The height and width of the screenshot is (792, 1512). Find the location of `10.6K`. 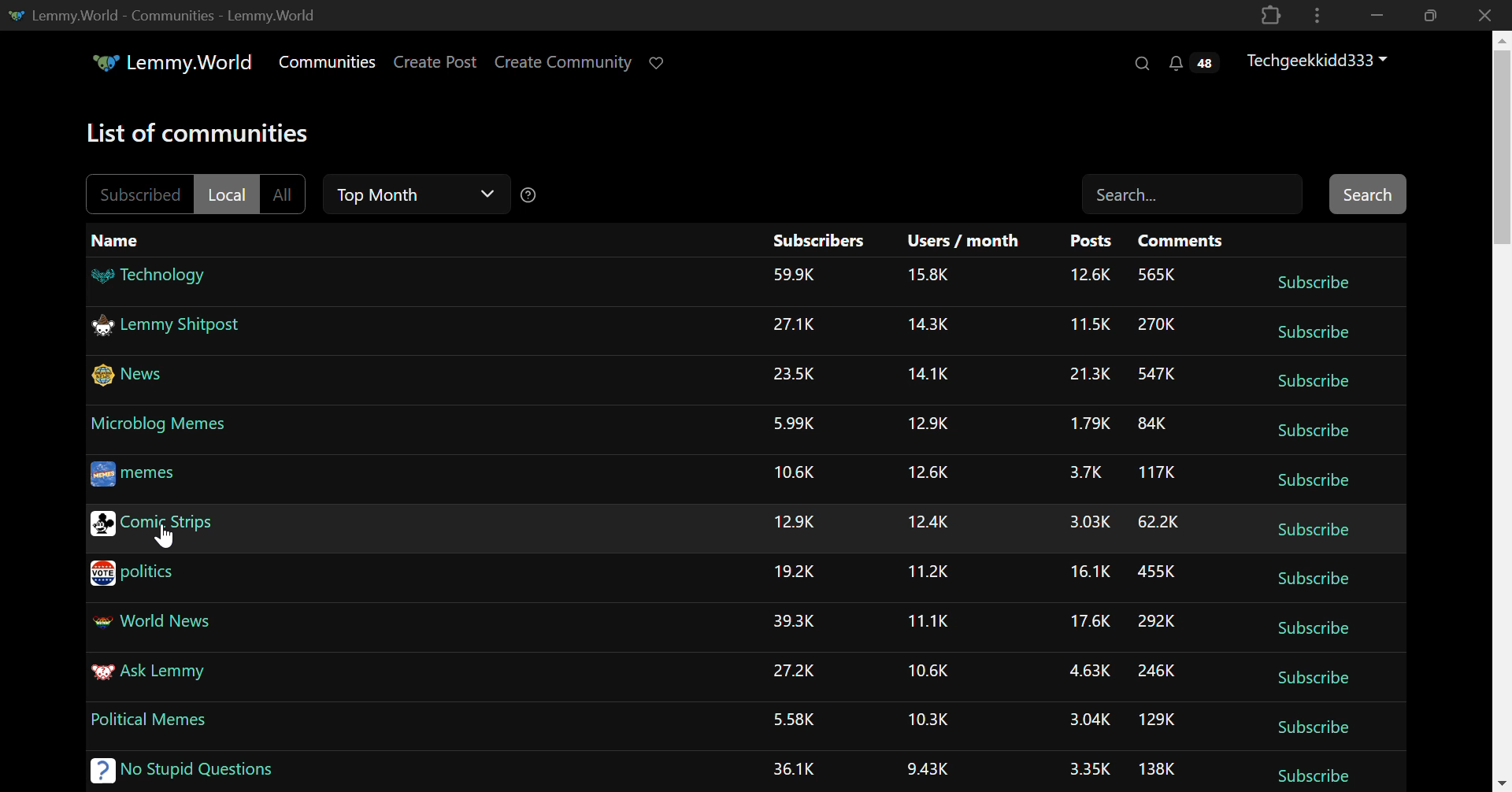

10.6K is located at coordinates (932, 672).